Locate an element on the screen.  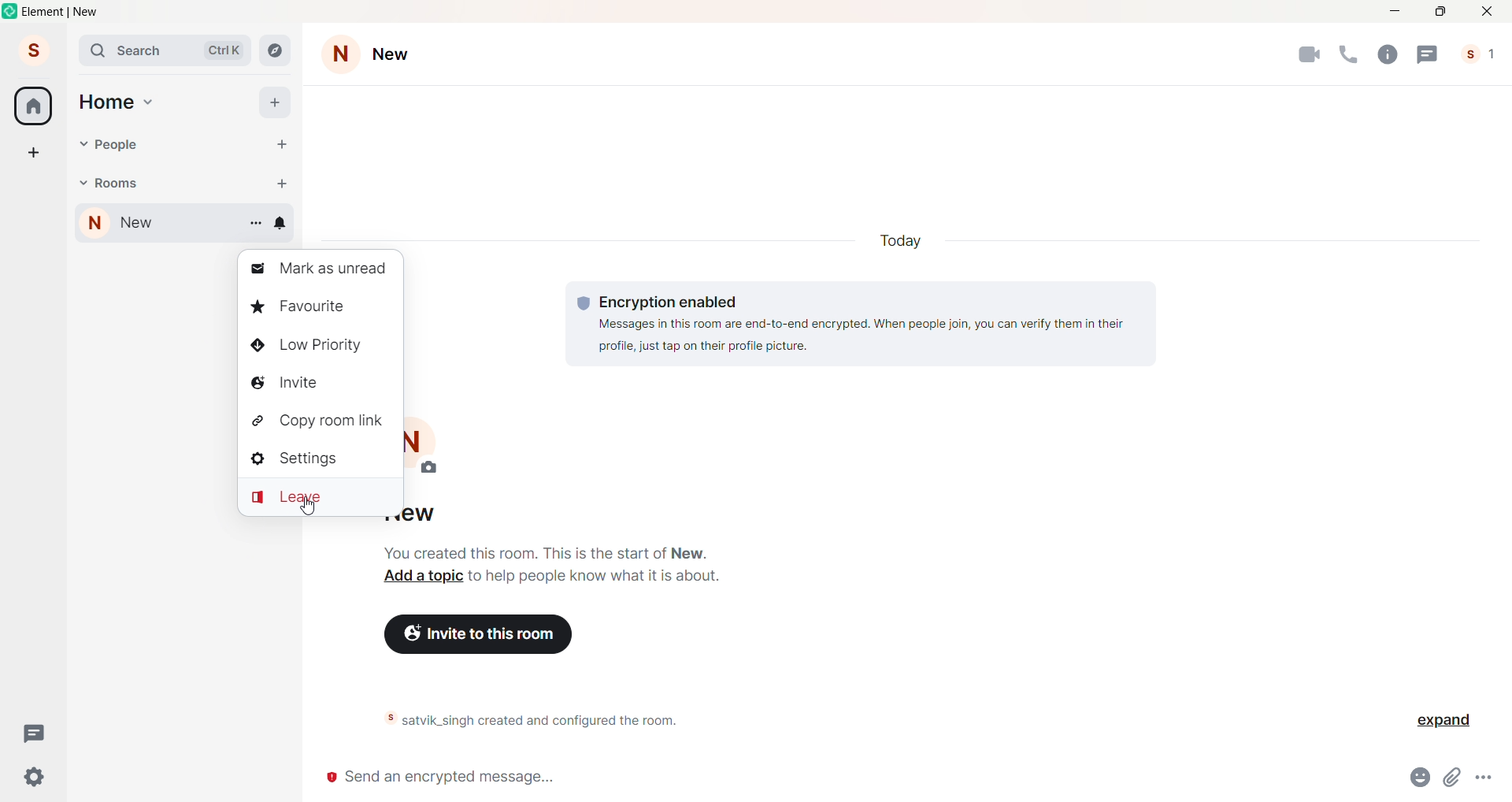
New is located at coordinates (399, 54).